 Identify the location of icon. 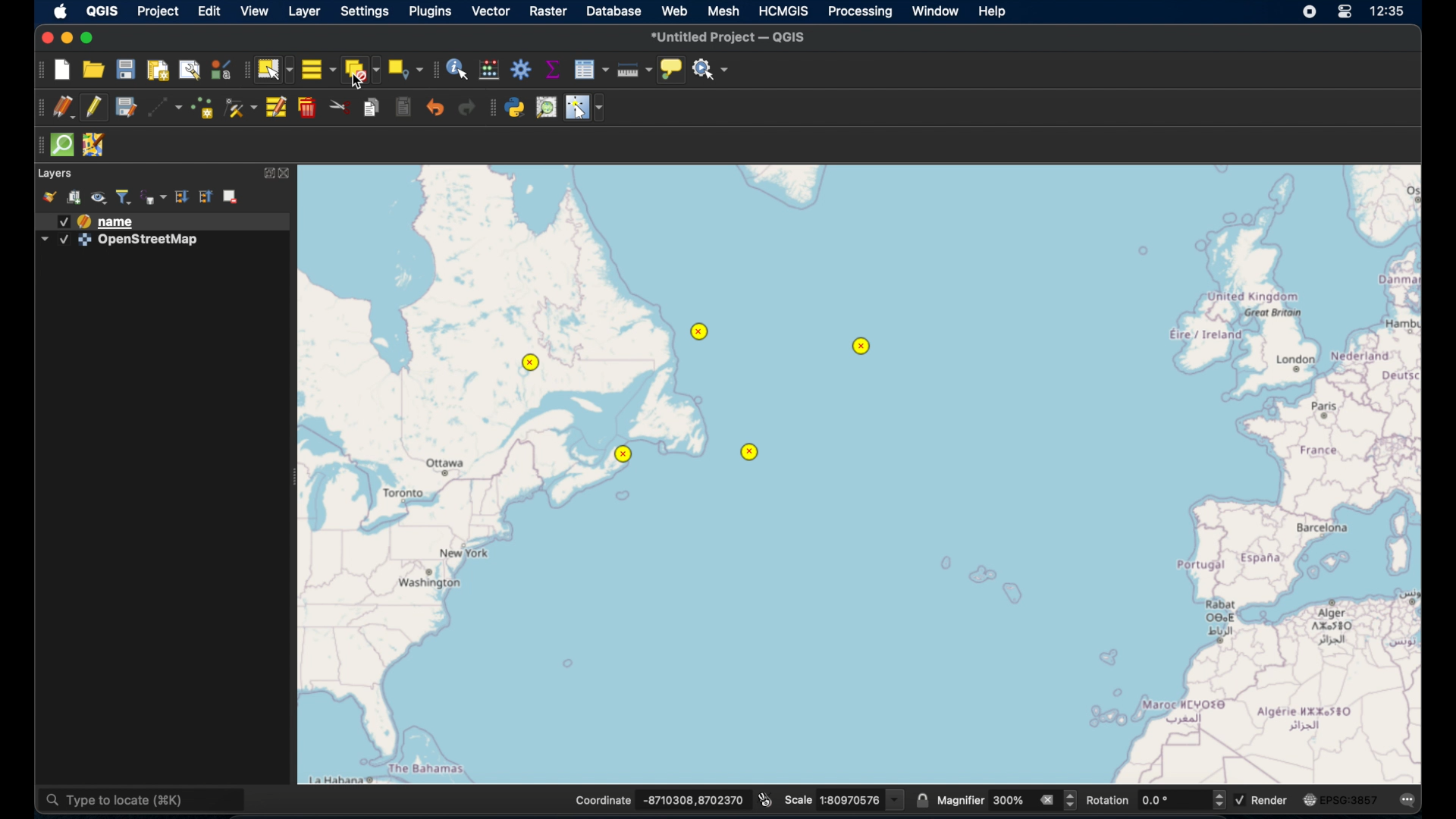
(84, 221).